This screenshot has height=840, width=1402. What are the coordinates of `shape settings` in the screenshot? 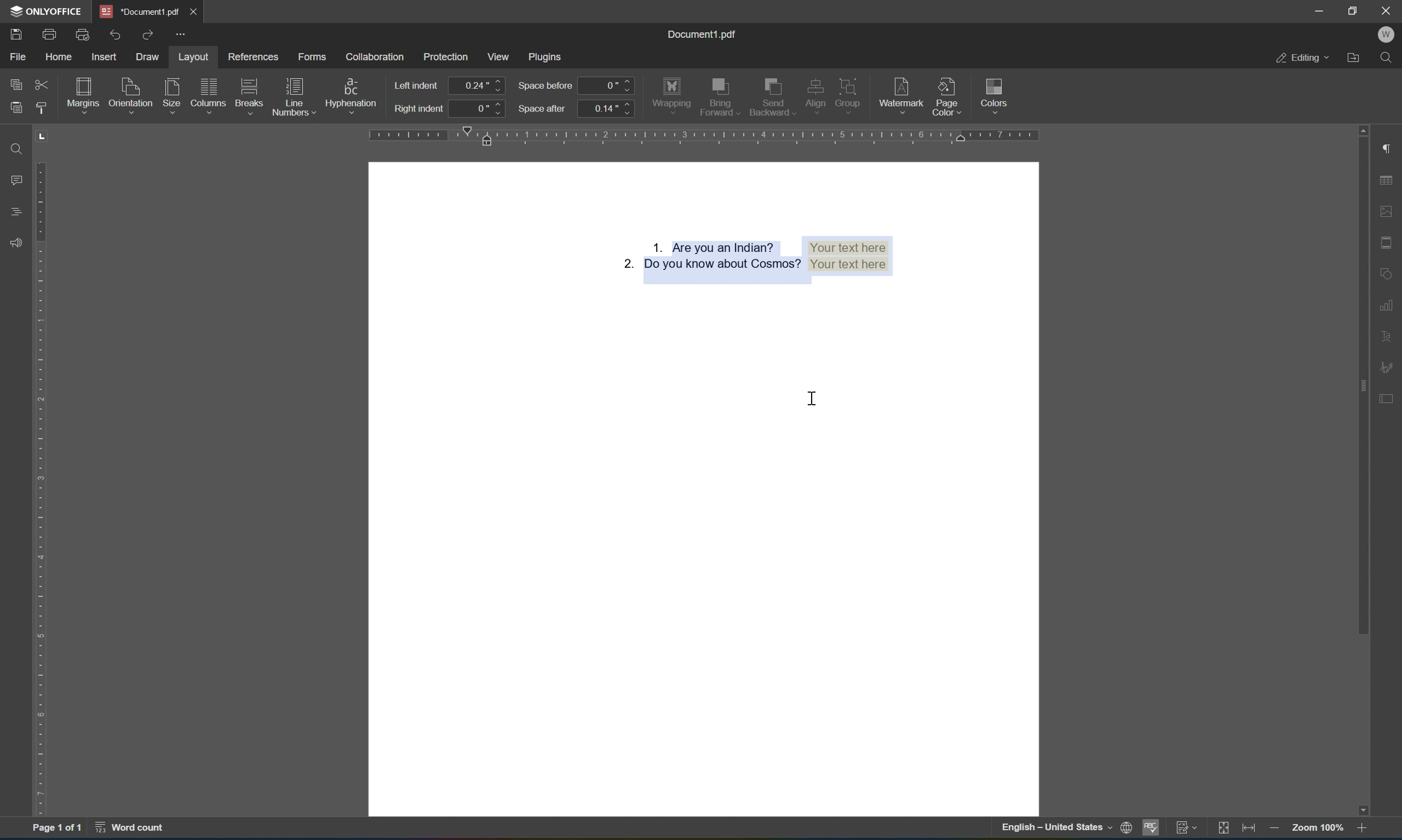 It's located at (1391, 269).